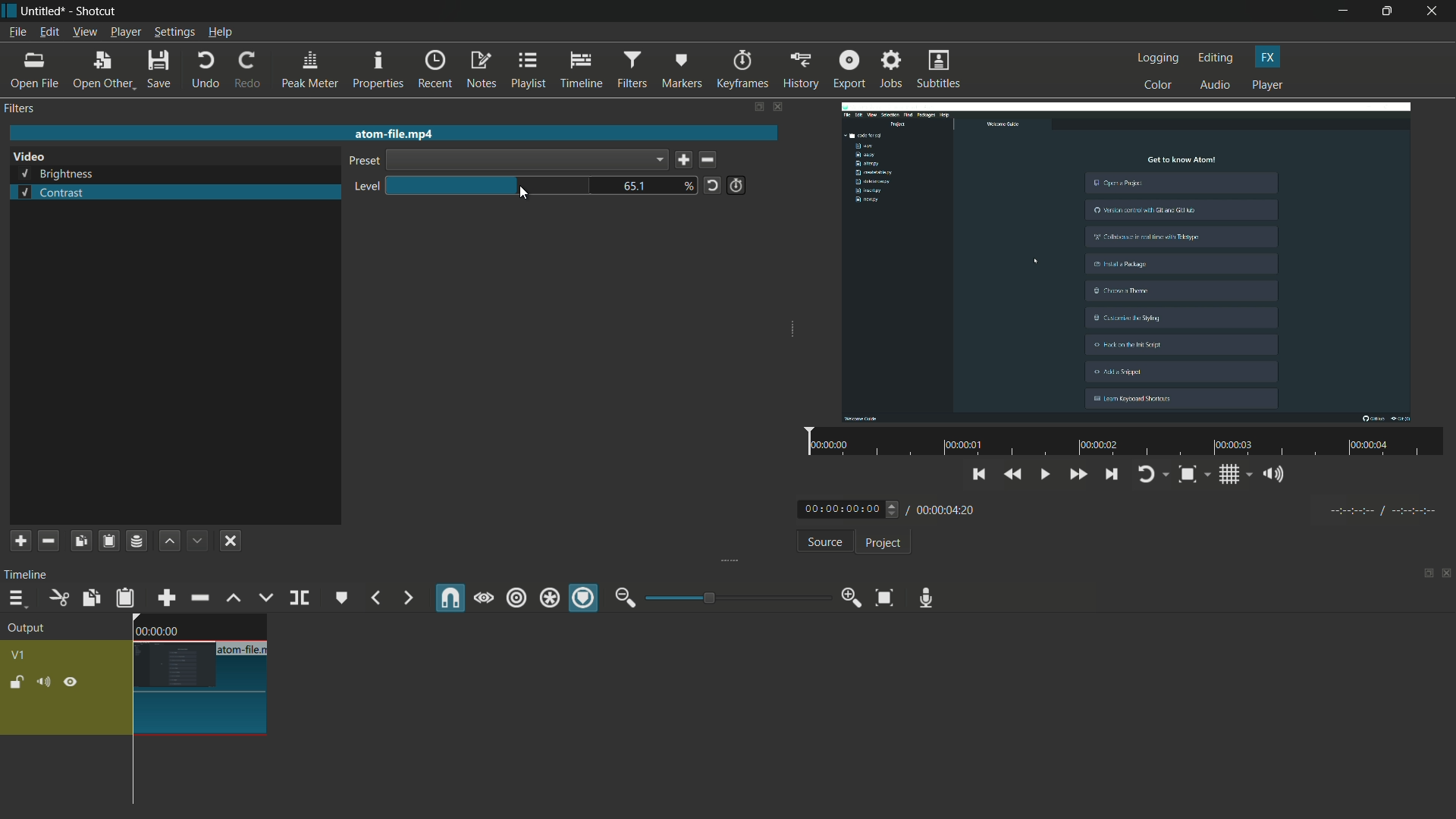 Image resolution: width=1456 pixels, height=819 pixels. What do you see at coordinates (199, 598) in the screenshot?
I see `ripple delete` at bounding box center [199, 598].